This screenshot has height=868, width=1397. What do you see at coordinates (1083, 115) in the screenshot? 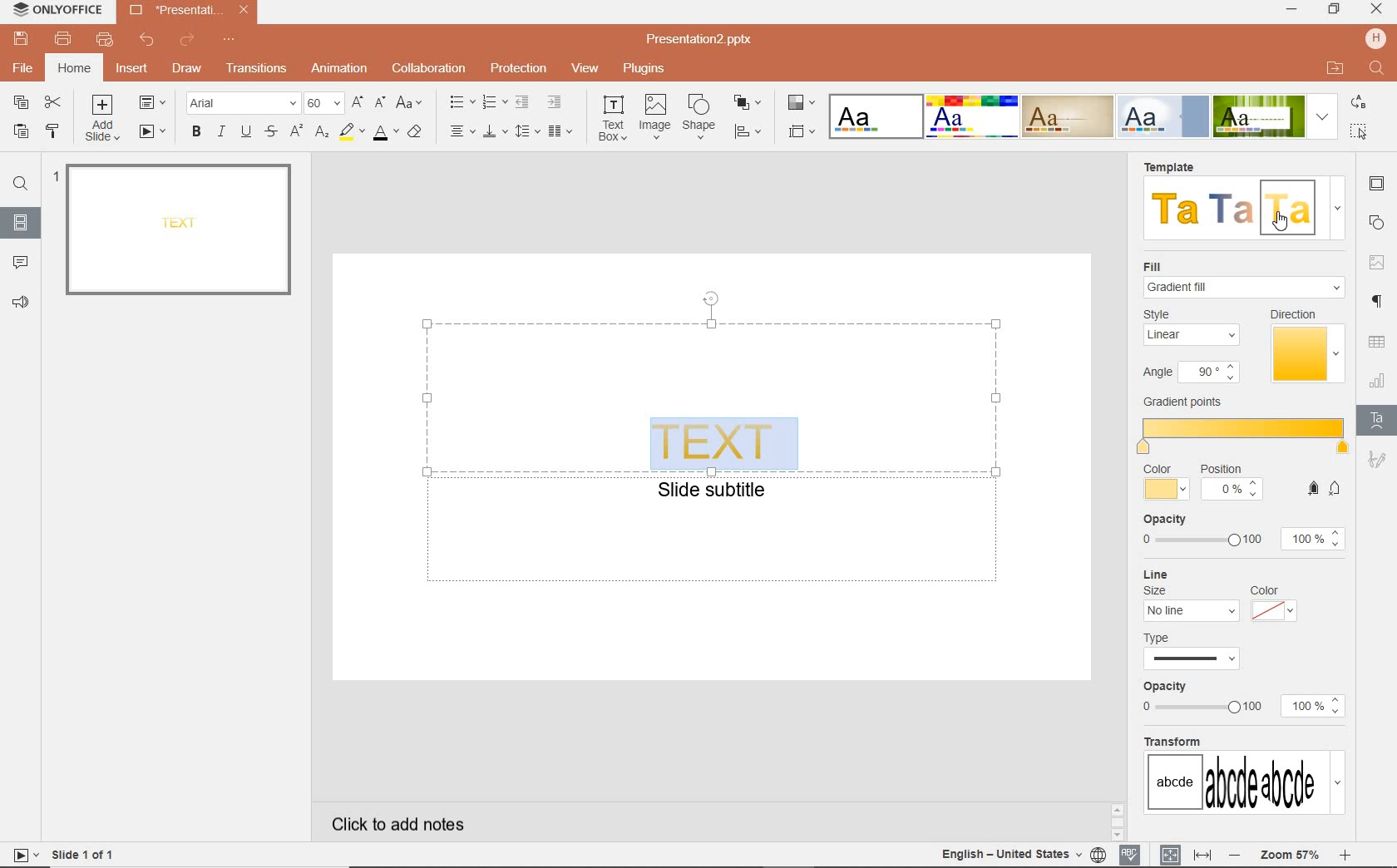
I see `TEXT EFFECTS` at bounding box center [1083, 115].